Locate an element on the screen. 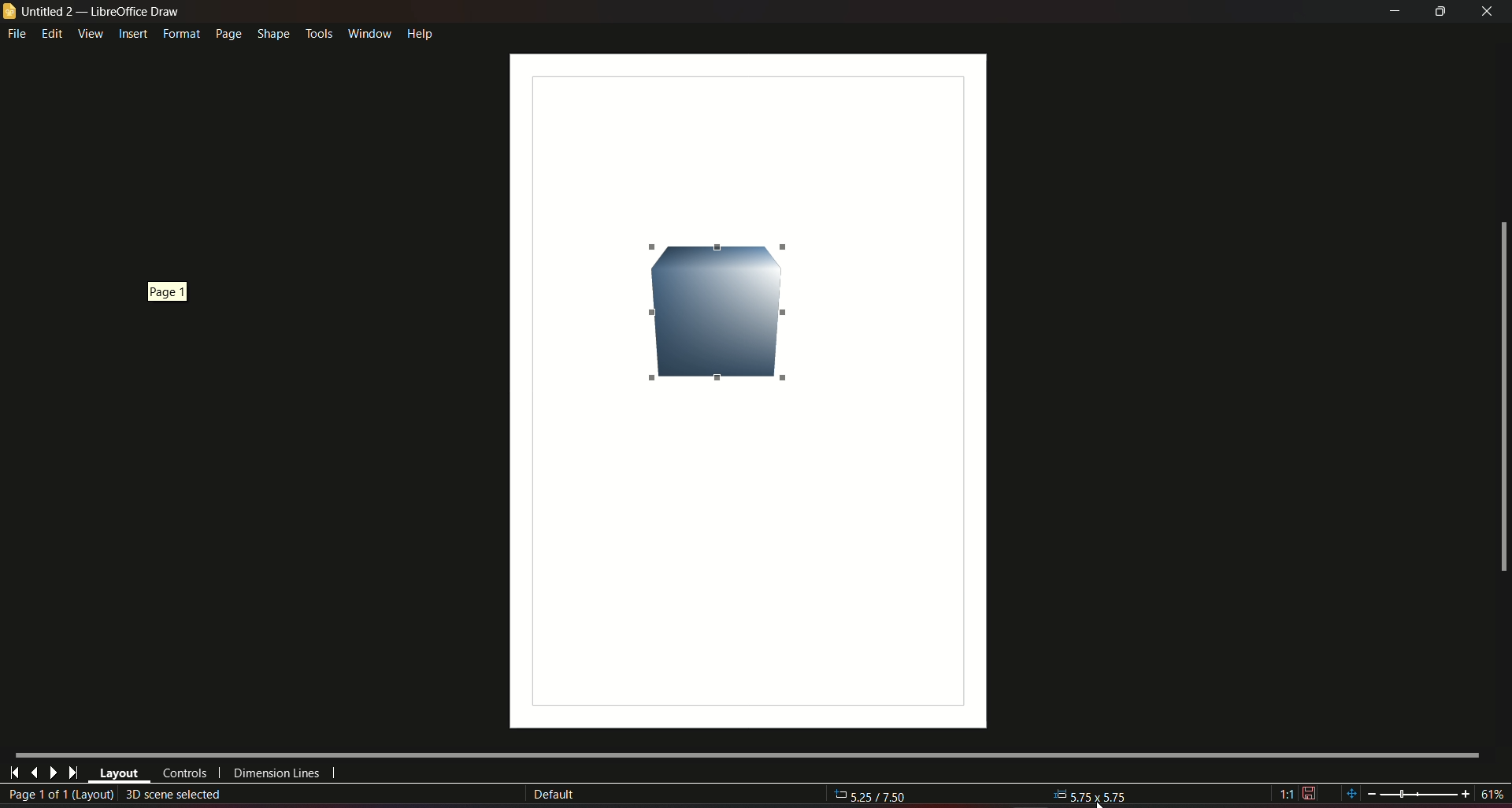 This screenshot has height=808, width=1512. Horizontal scroll bar is located at coordinates (746, 753).